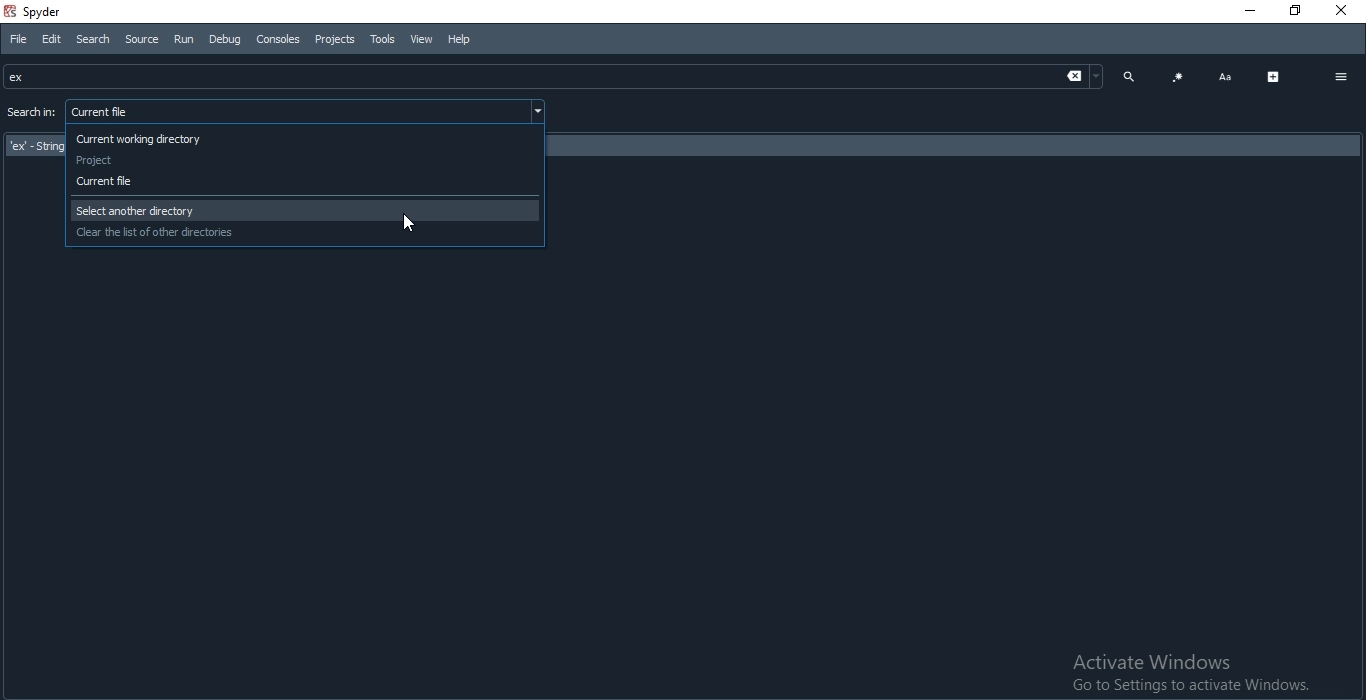  Describe the element at coordinates (38, 12) in the screenshot. I see `spyder` at that location.